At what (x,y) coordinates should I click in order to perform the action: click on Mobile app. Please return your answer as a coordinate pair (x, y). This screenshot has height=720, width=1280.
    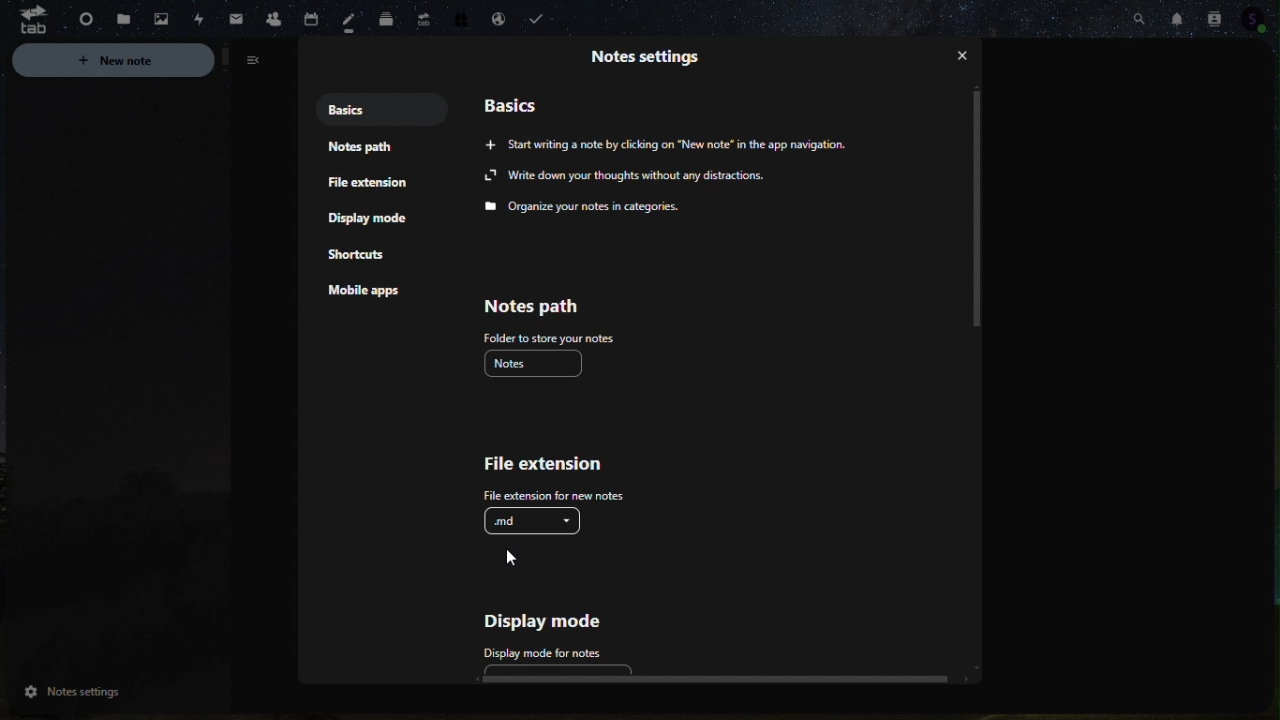
    Looking at the image, I should click on (375, 293).